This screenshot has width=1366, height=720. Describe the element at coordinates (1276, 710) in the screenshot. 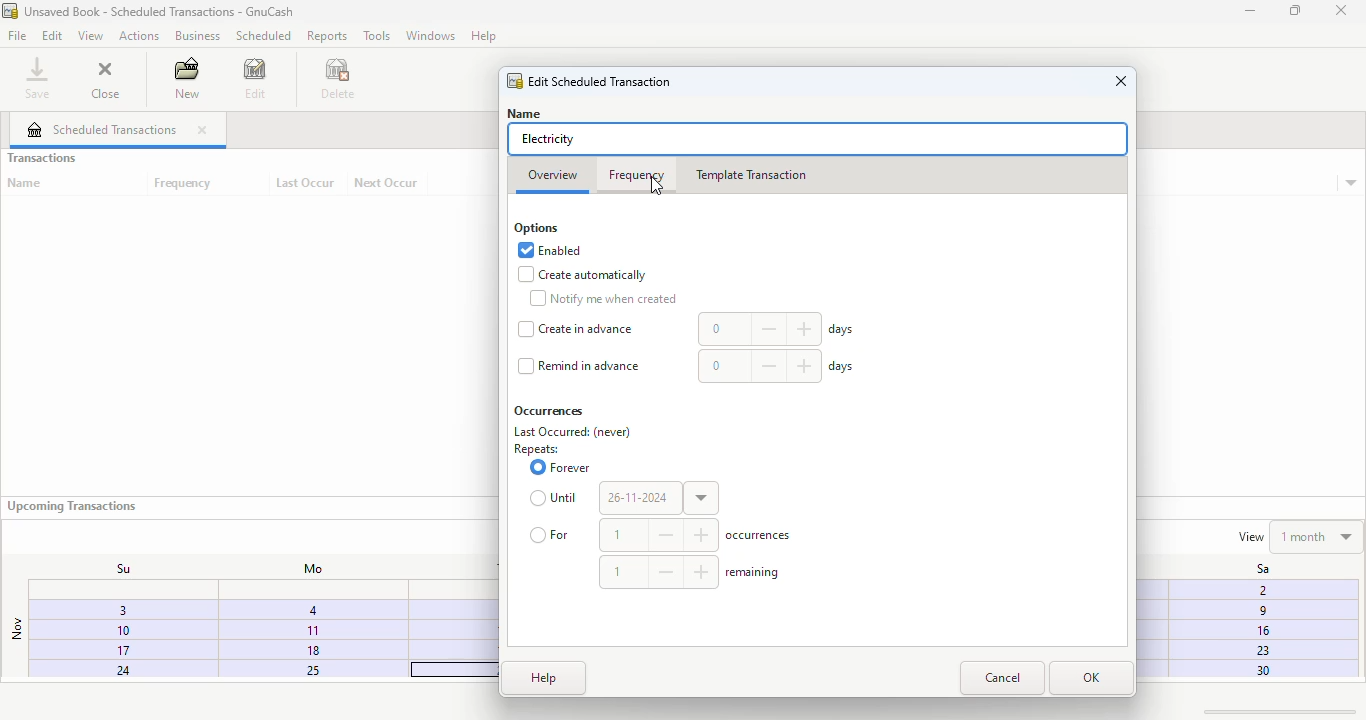

I see `scroll` at that location.